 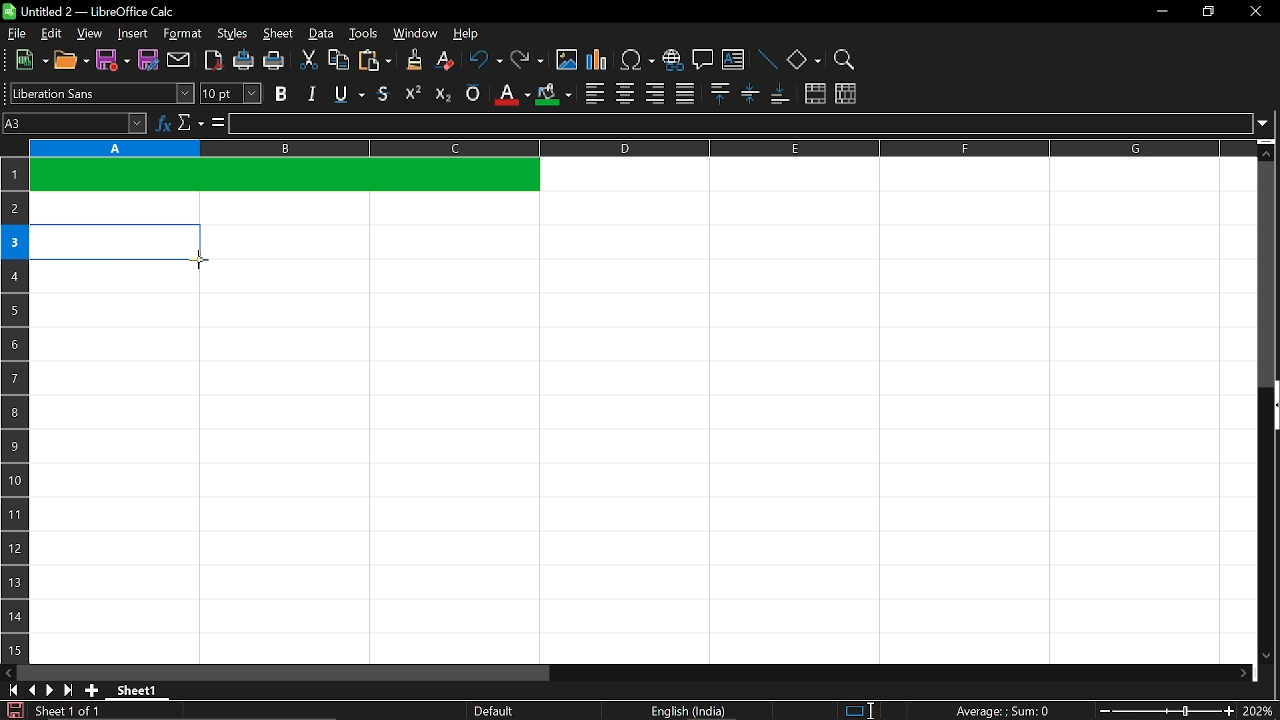 I want to click on center vertically, so click(x=750, y=95).